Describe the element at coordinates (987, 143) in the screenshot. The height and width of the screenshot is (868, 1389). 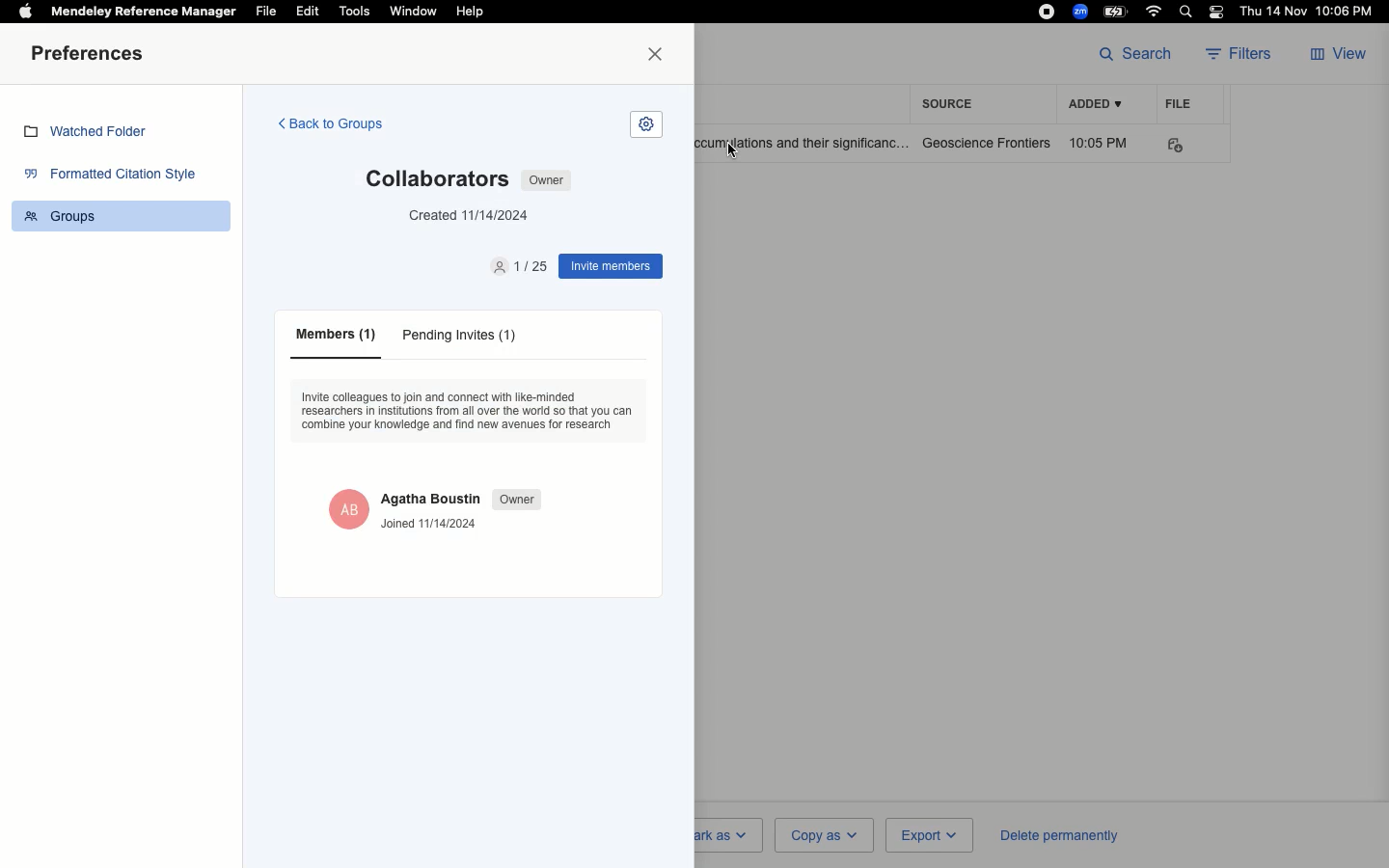
I see `Geoscience frontiers` at that location.